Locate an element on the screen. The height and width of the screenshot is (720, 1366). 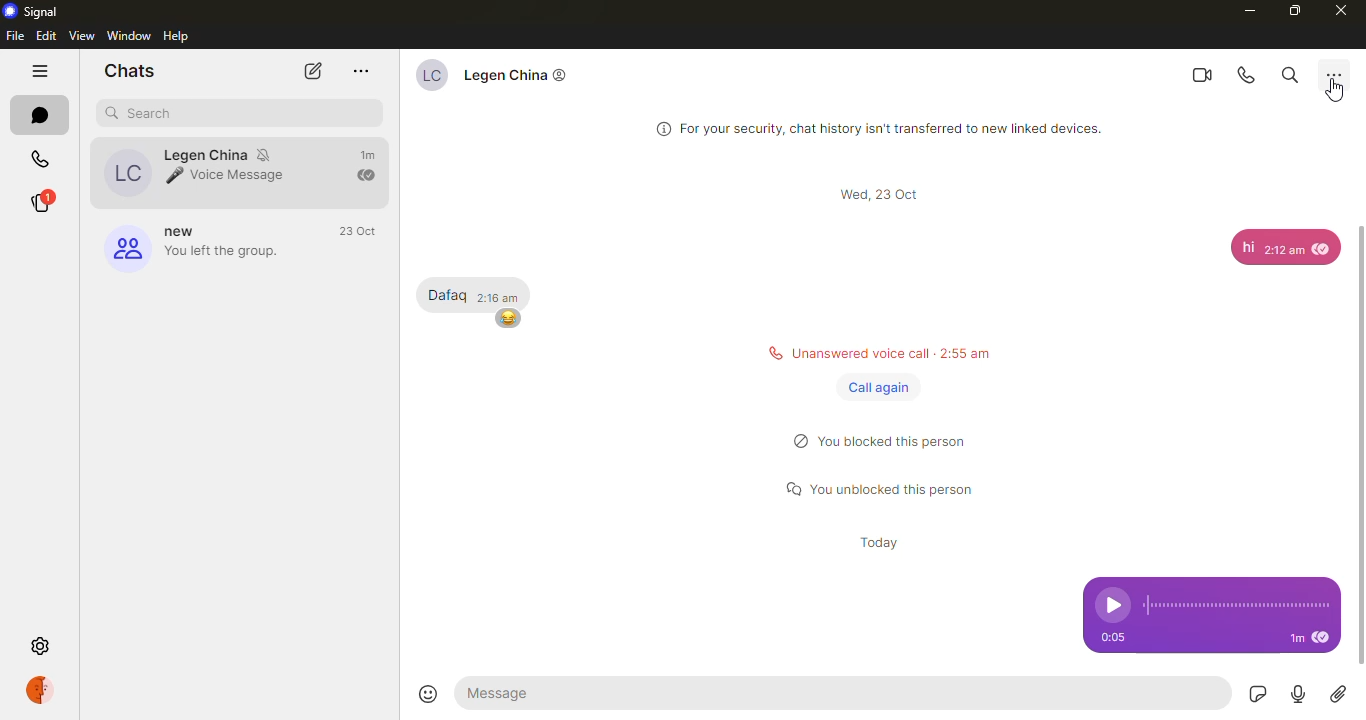
time is located at coordinates (358, 231).